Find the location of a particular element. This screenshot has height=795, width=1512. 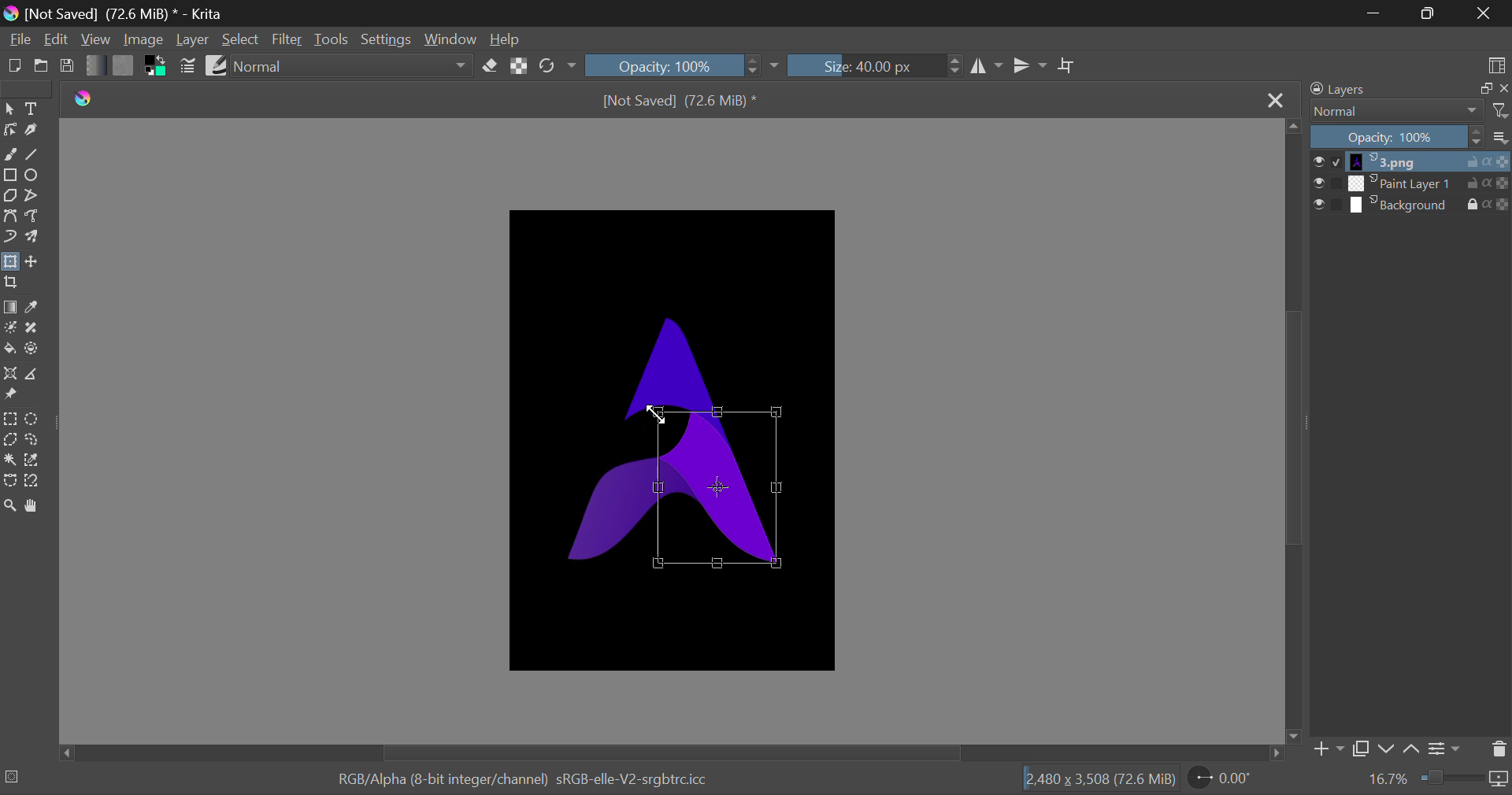

Transform Layers is located at coordinates (10, 264).